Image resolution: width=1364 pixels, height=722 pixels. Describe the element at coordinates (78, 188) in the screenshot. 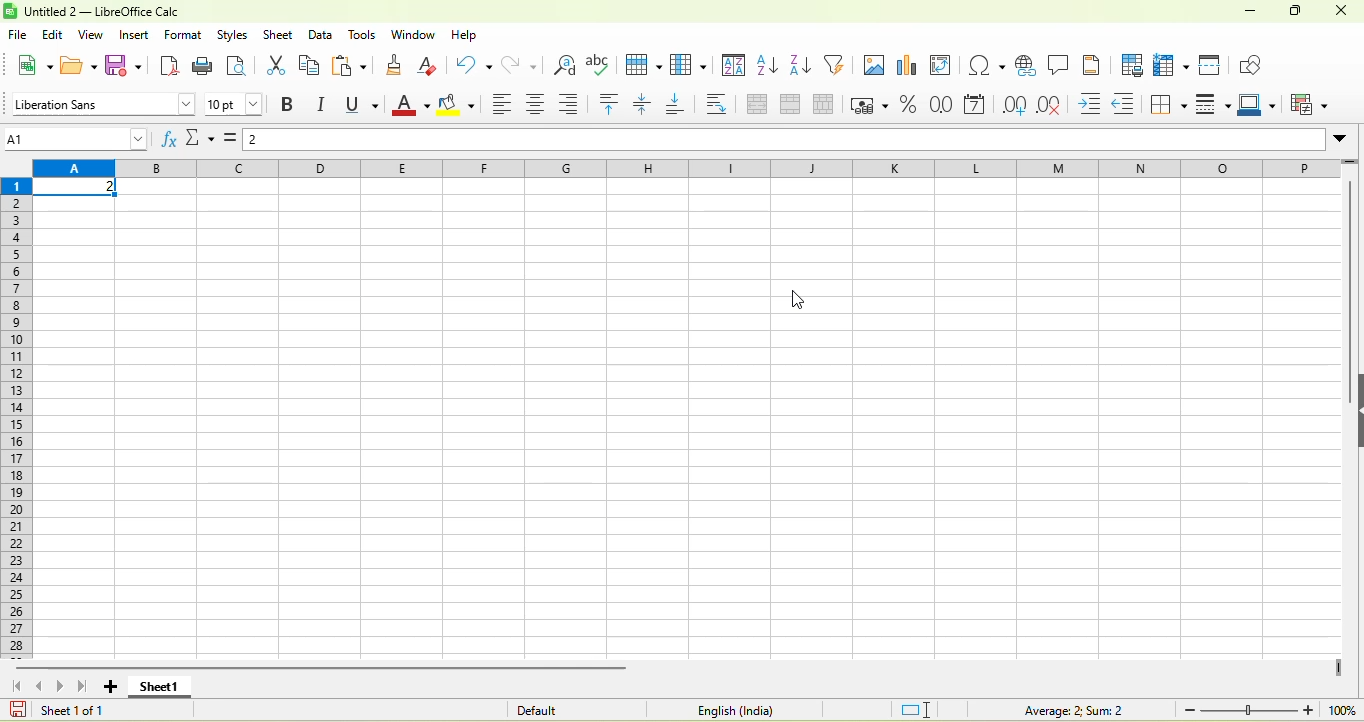

I see `selected cell` at that location.